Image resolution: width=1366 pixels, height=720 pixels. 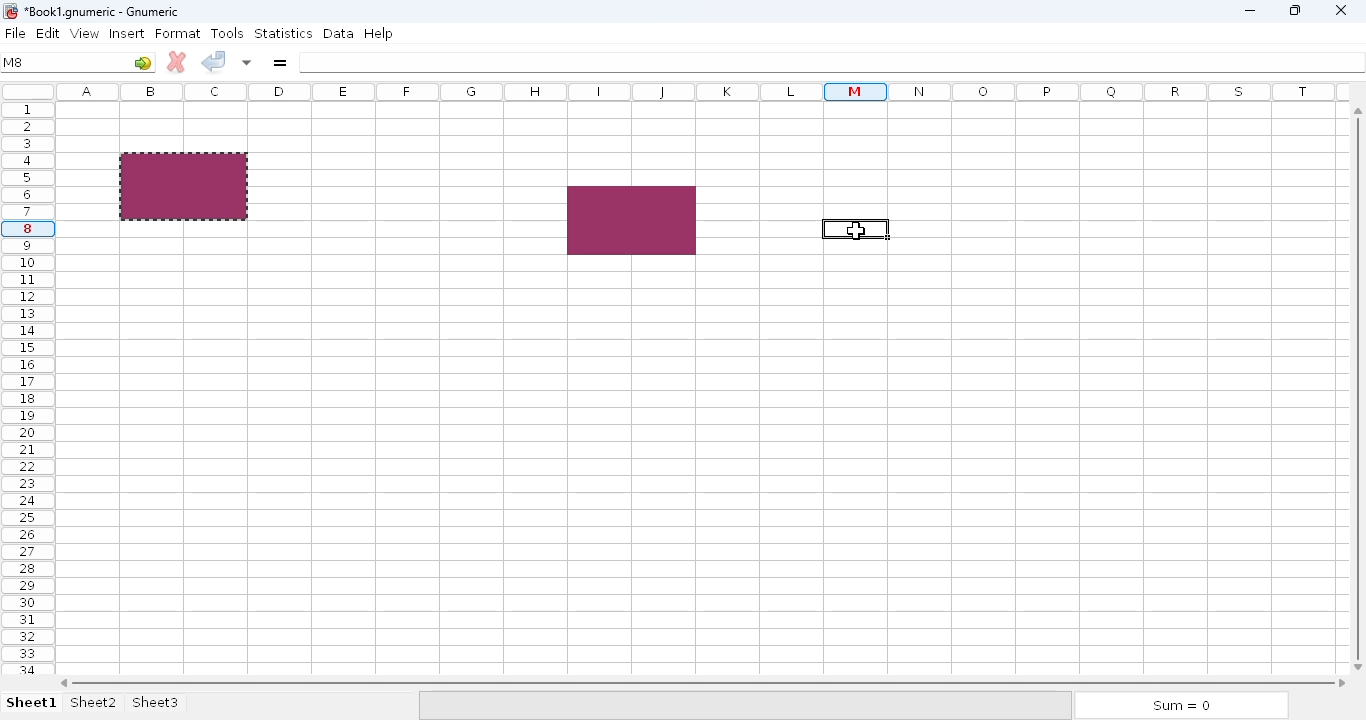 What do you see at coordinates (10, 12) in the screenshot?
I see `logo` at bounding box center [10, 12].